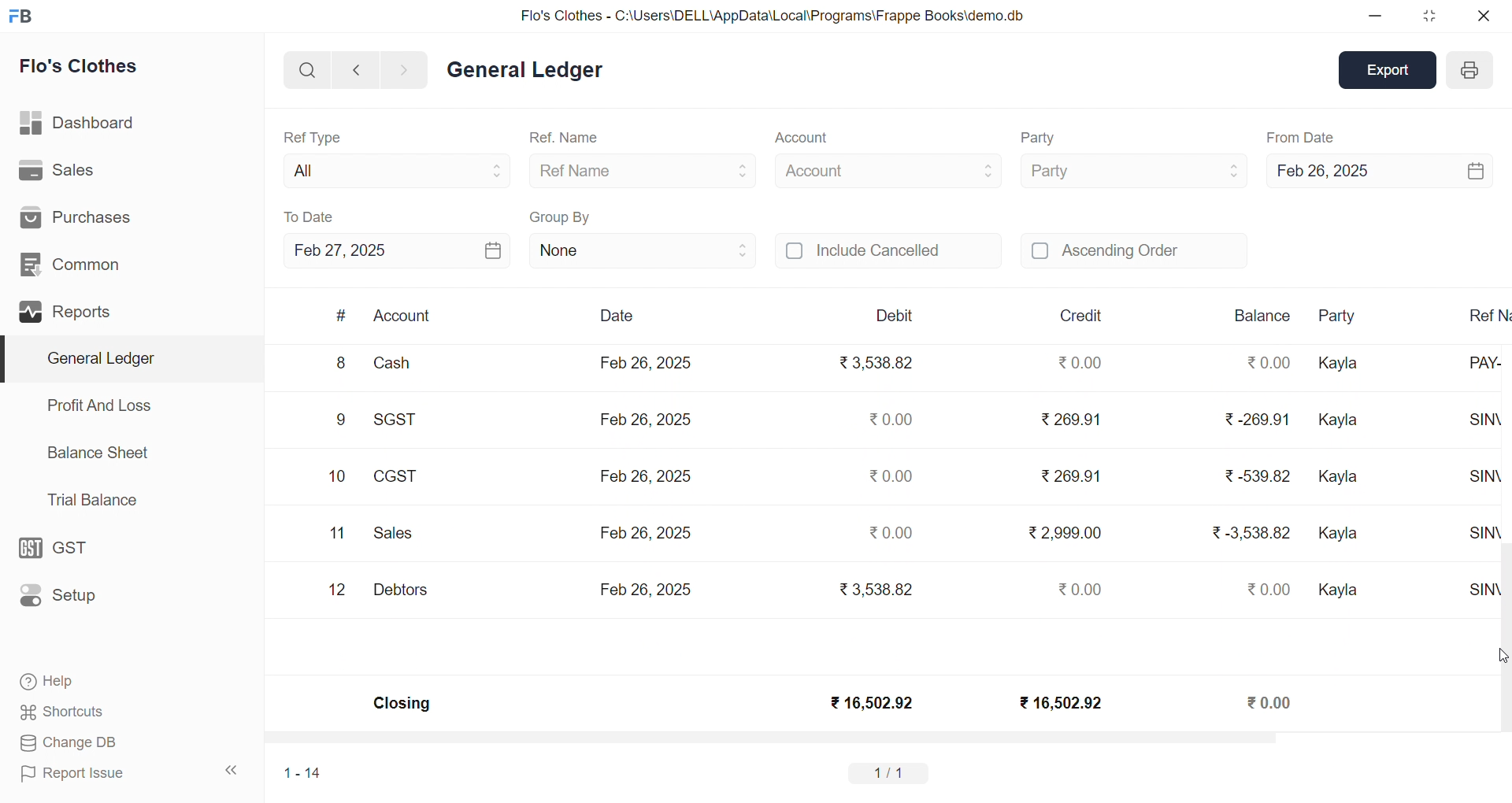 The width and height of the screenshot is (1512, 803). Describe the element at coordinates (1251, 538) in the screenshot. I see `₹ -3,538.82` at that location.